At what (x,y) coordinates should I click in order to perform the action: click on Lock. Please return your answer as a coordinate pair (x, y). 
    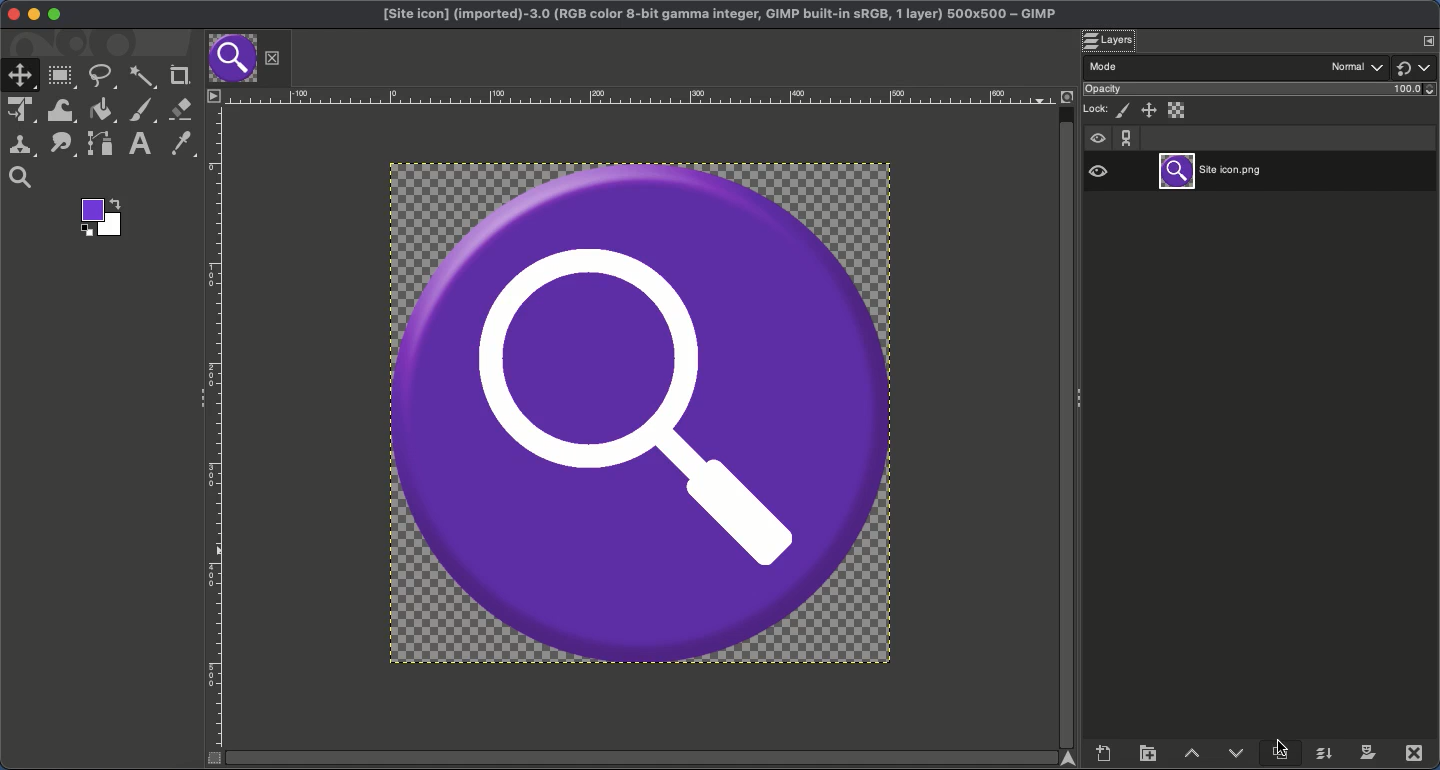
    Looking at the image, I should click on (1096, 108).